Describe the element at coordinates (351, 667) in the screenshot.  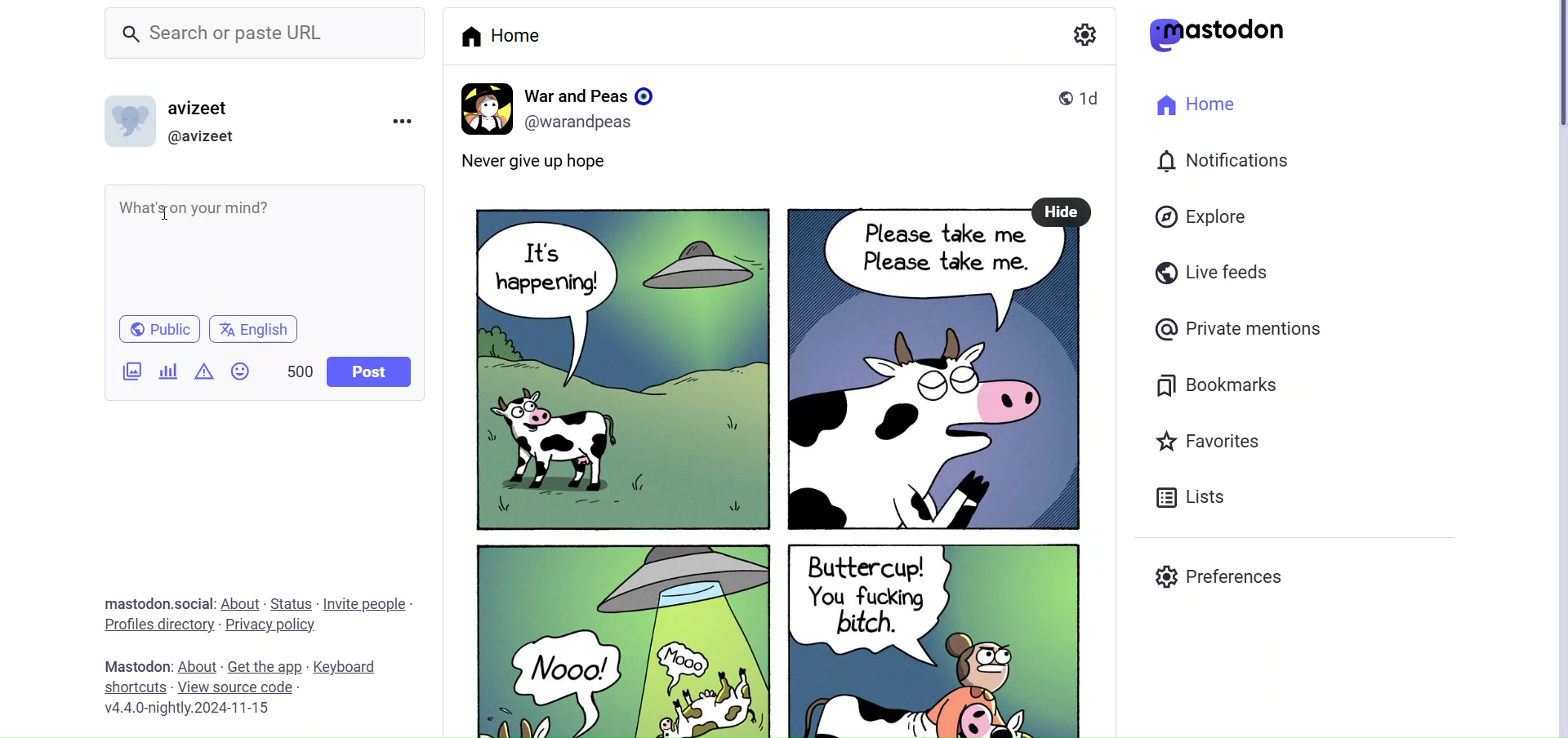
I see `keyboard` at that location.